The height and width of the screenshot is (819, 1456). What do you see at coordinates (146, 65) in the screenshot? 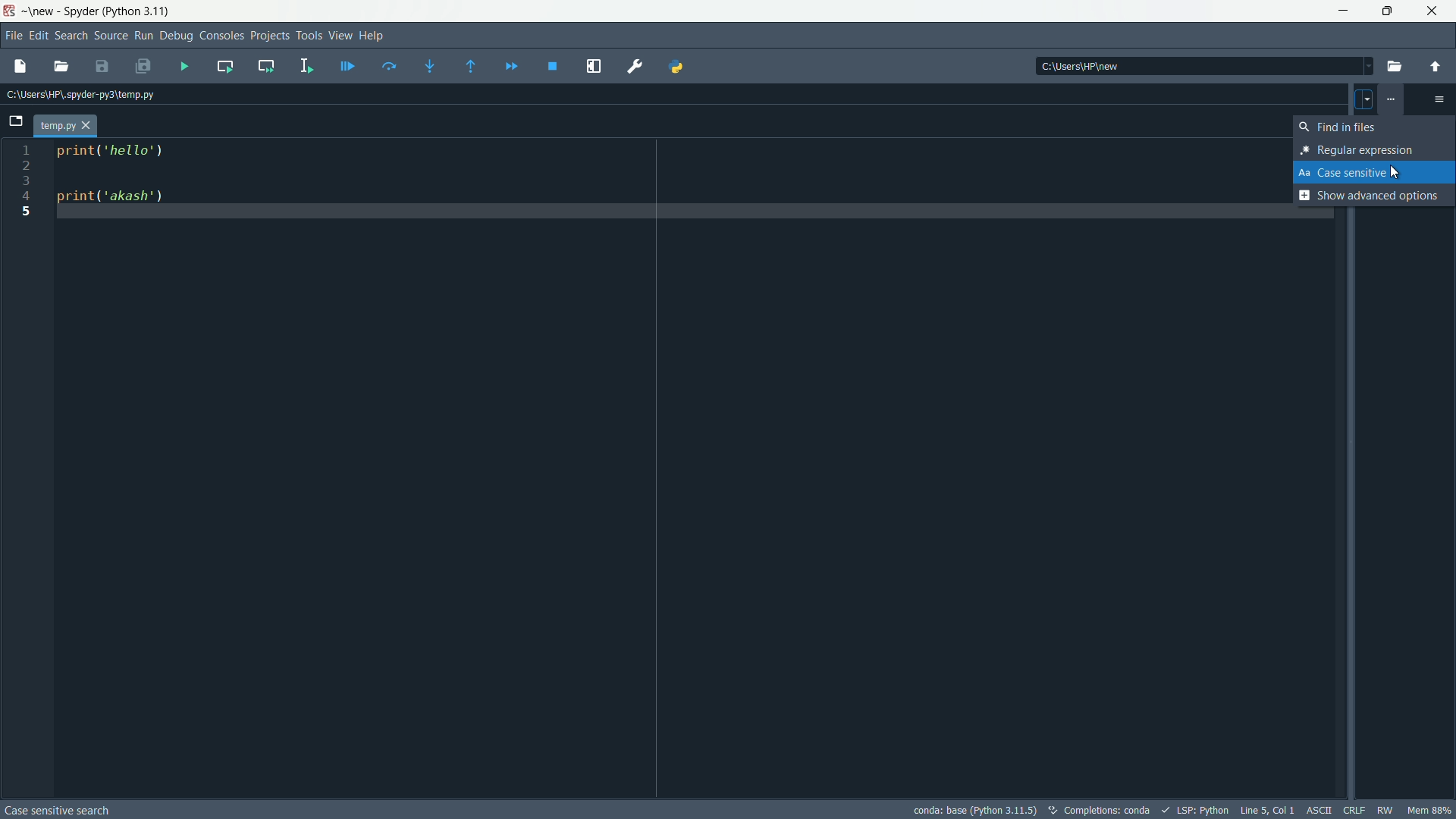
I see `save all files` at bounding box center [146, 65].